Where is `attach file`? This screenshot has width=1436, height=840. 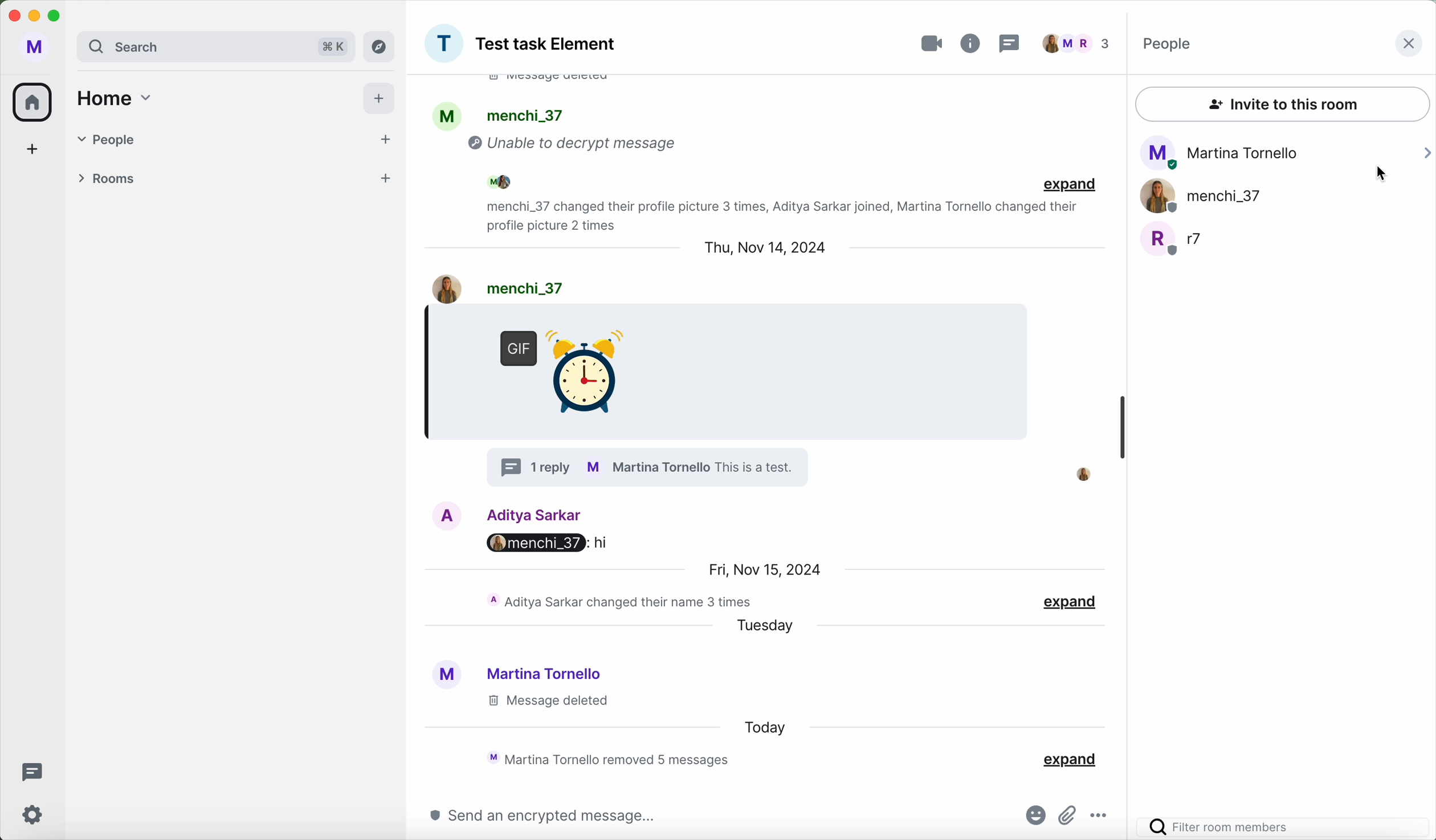
attach file is located at coordinates (1068, 813).